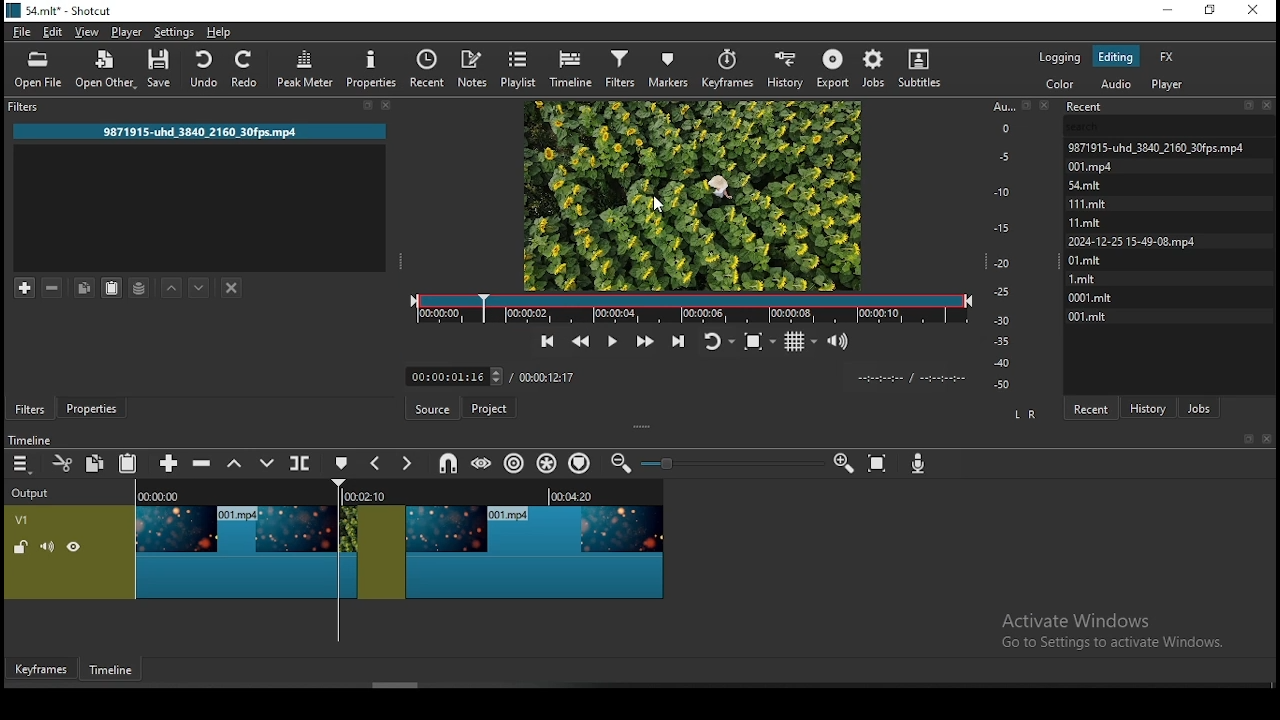  Describe the element at coordinates (786, 69) in the screenshot. I see `history` at that location.